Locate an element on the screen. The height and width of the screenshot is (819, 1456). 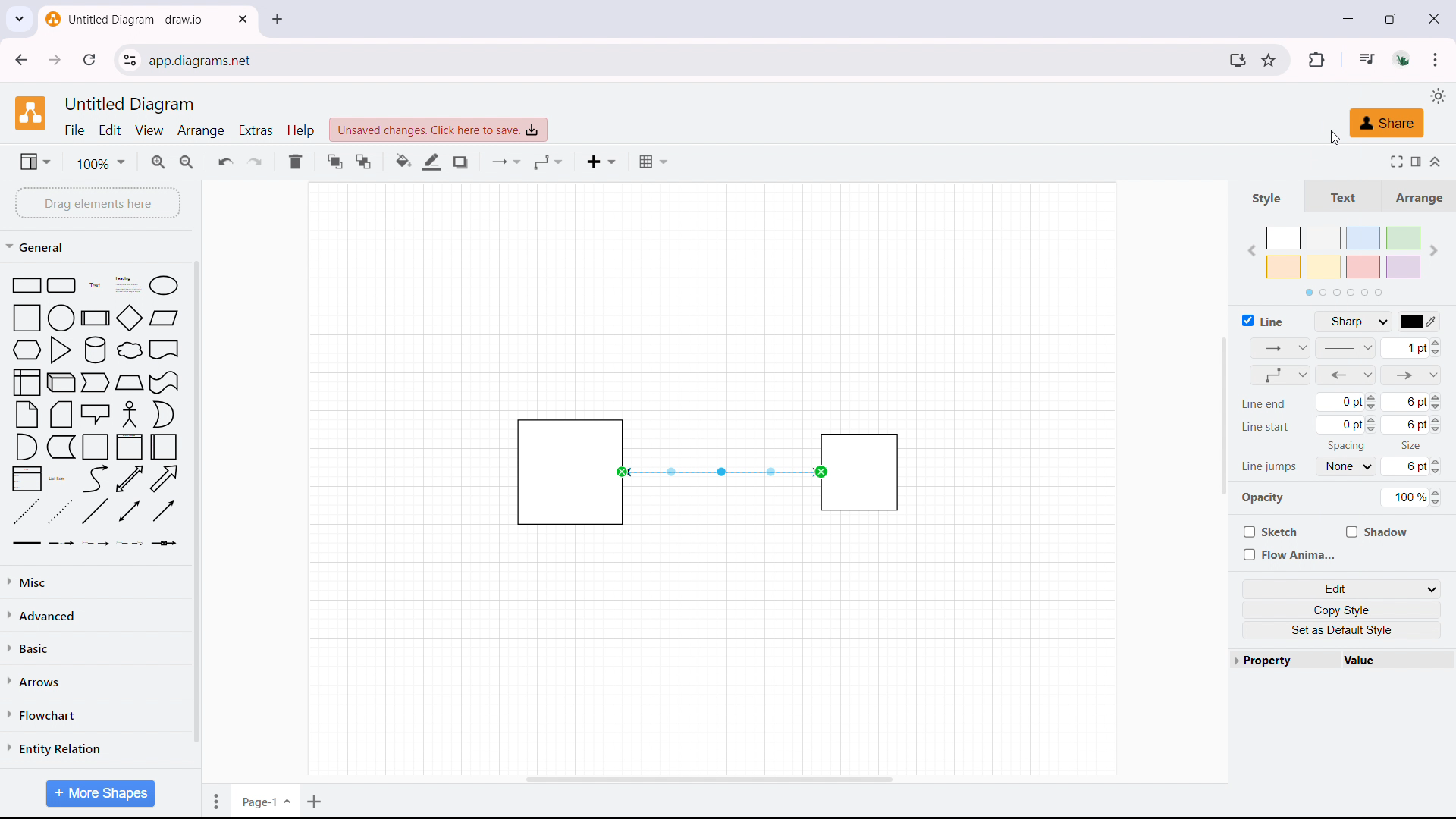
opacity is located at coordinates (1410, 497).